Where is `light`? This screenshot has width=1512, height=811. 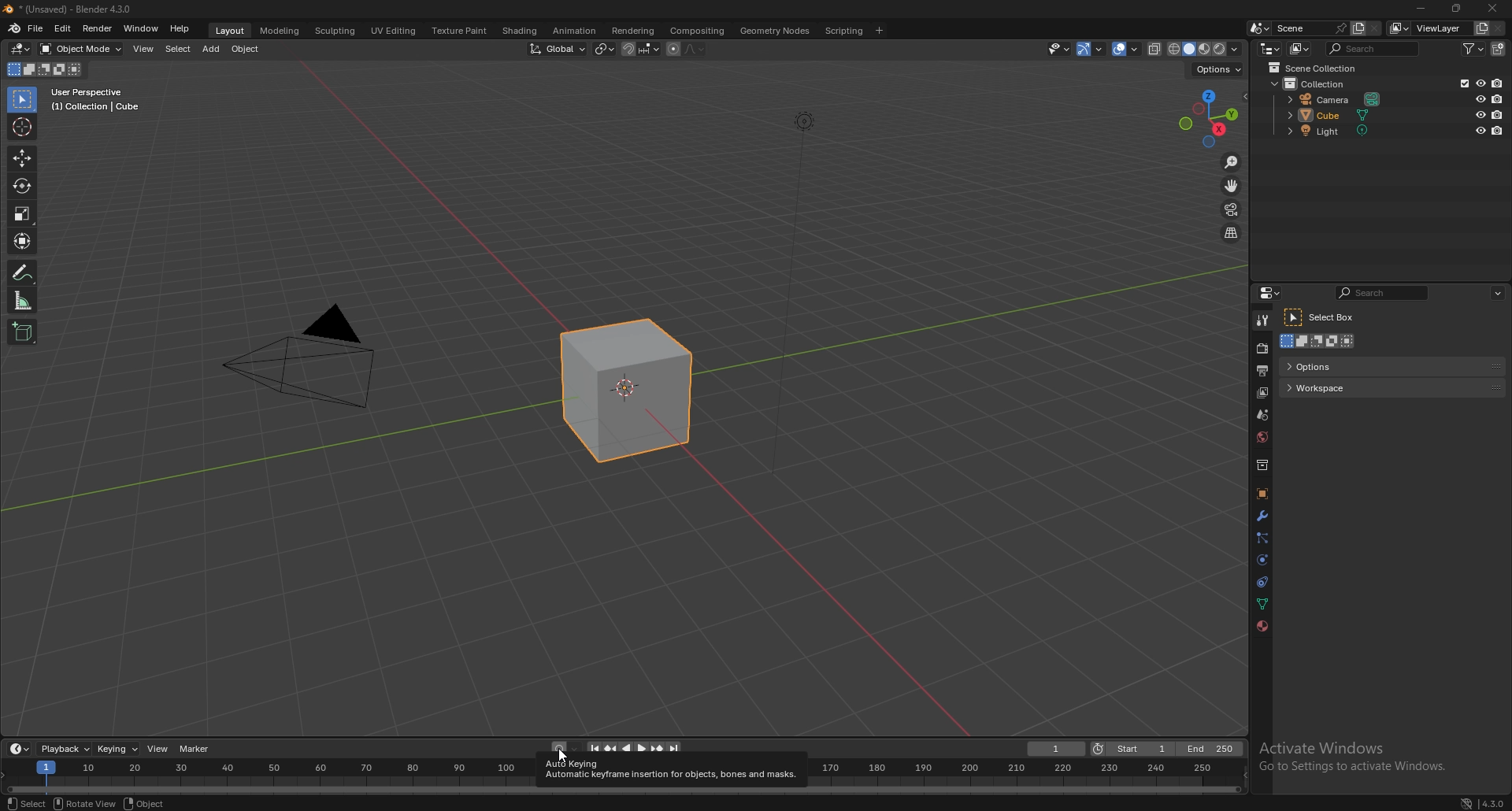
light is located at coordinates (1341, 131).